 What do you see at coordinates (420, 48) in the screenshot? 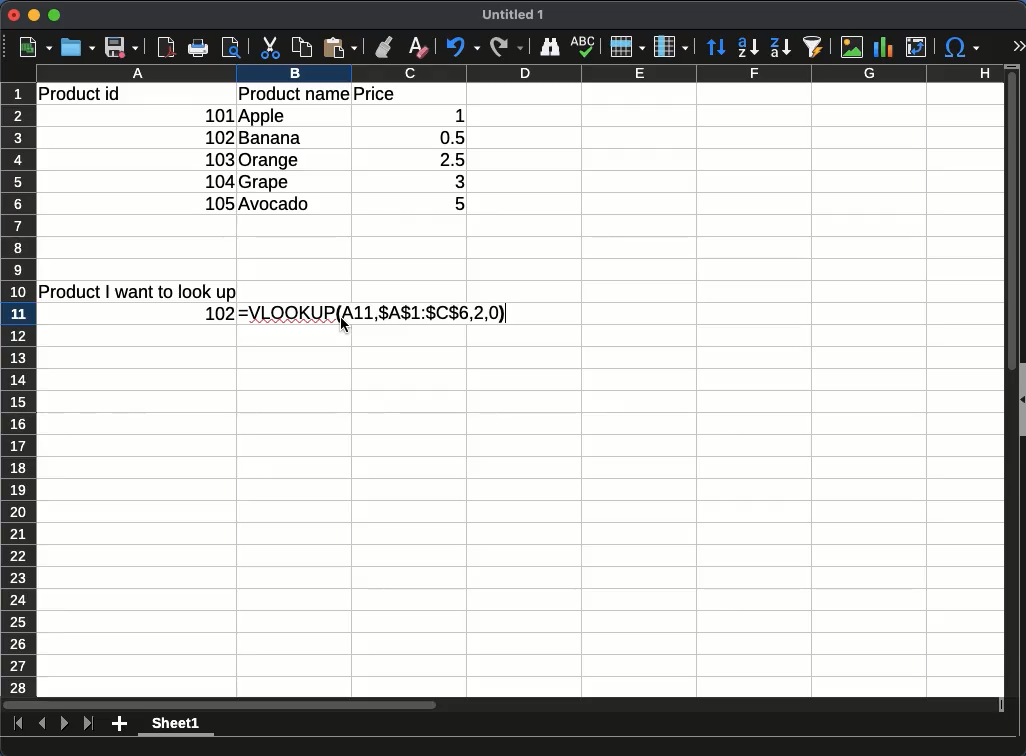
I see `clear formatting` at bounding box center [420, 48].